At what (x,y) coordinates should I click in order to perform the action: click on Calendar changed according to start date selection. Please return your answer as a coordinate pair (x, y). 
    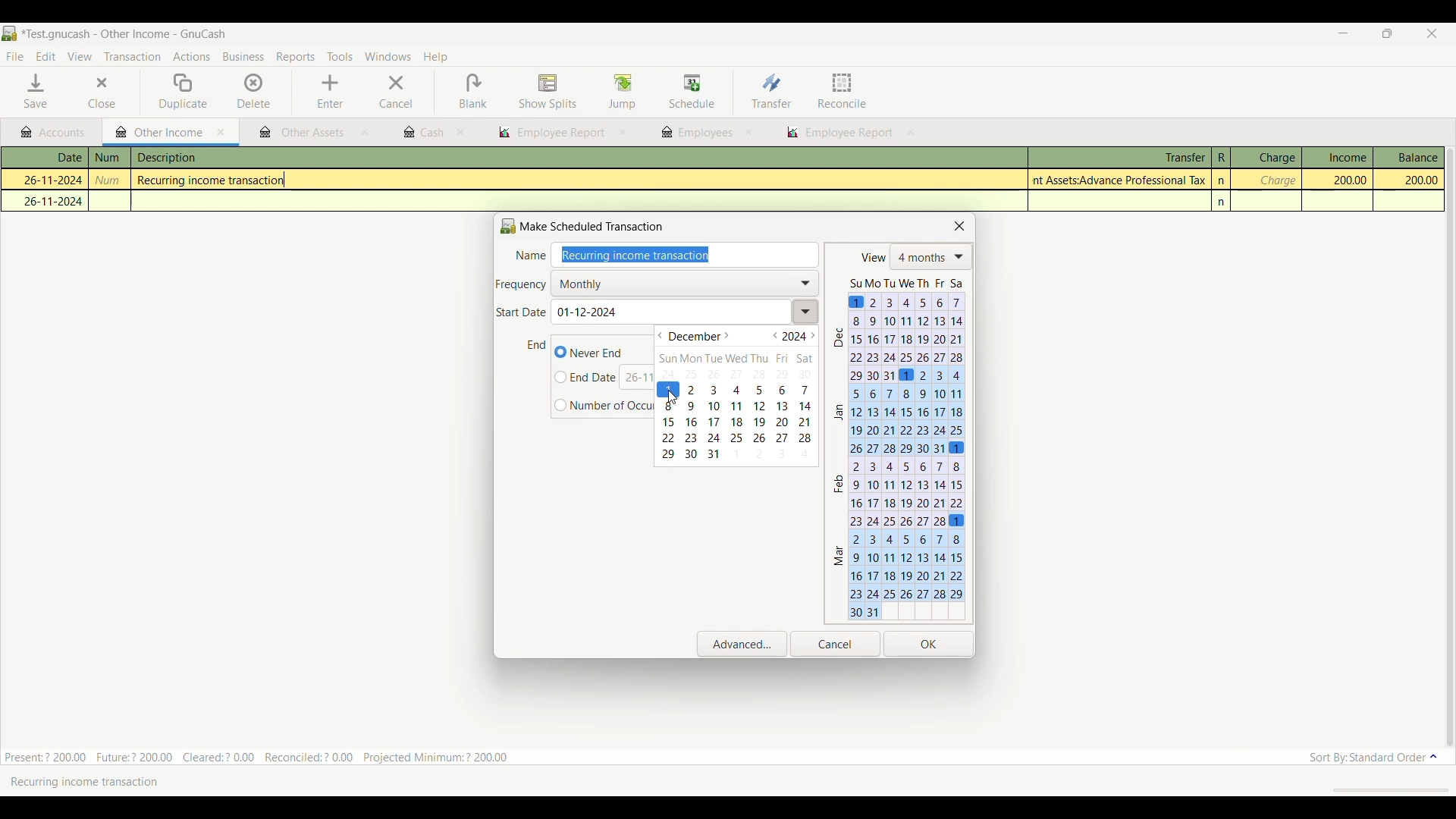
    Looking at the image, I should click on (899, 449).